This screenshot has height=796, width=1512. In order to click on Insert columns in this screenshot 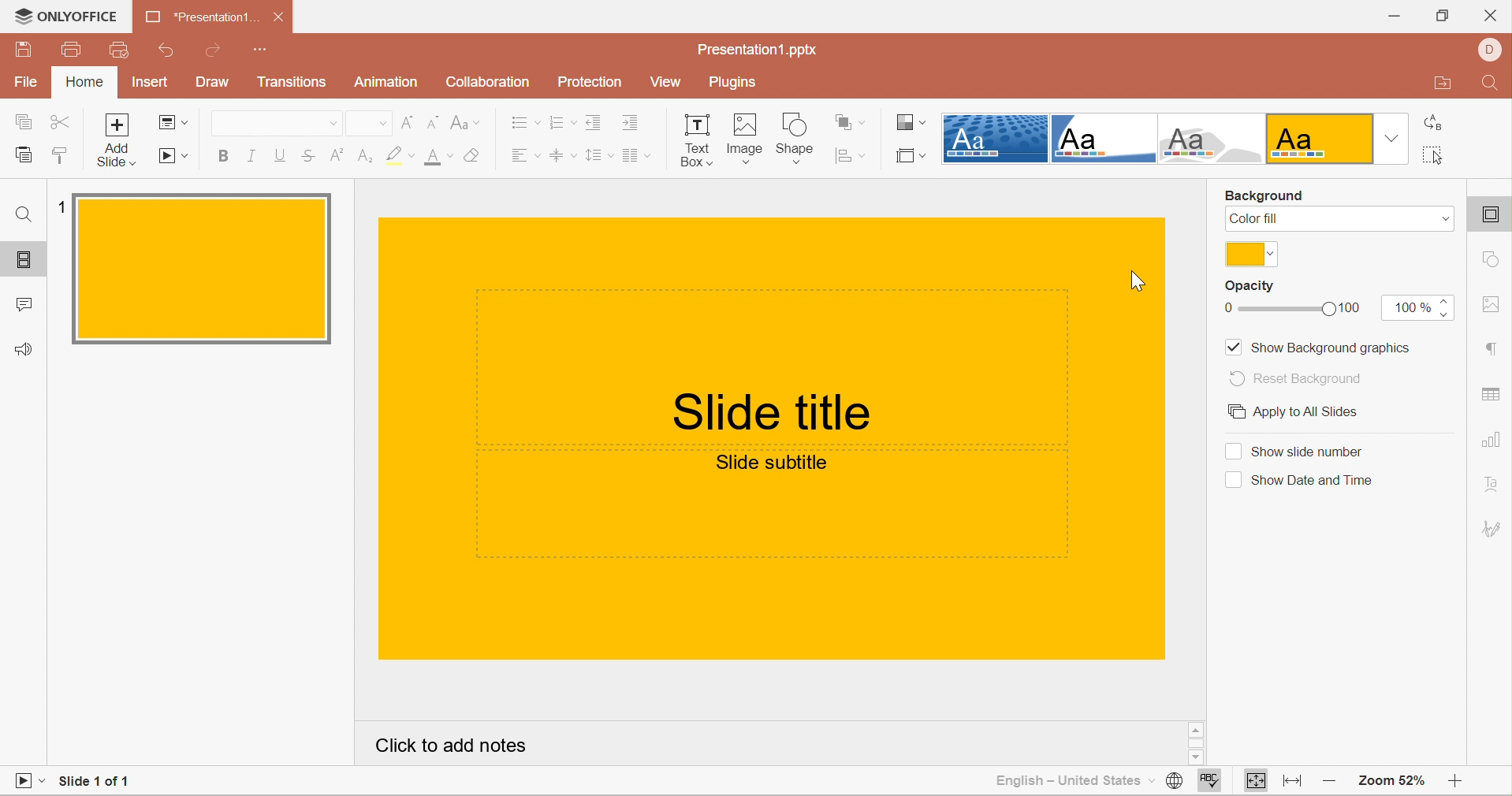, I will do `click(639, 156)`.